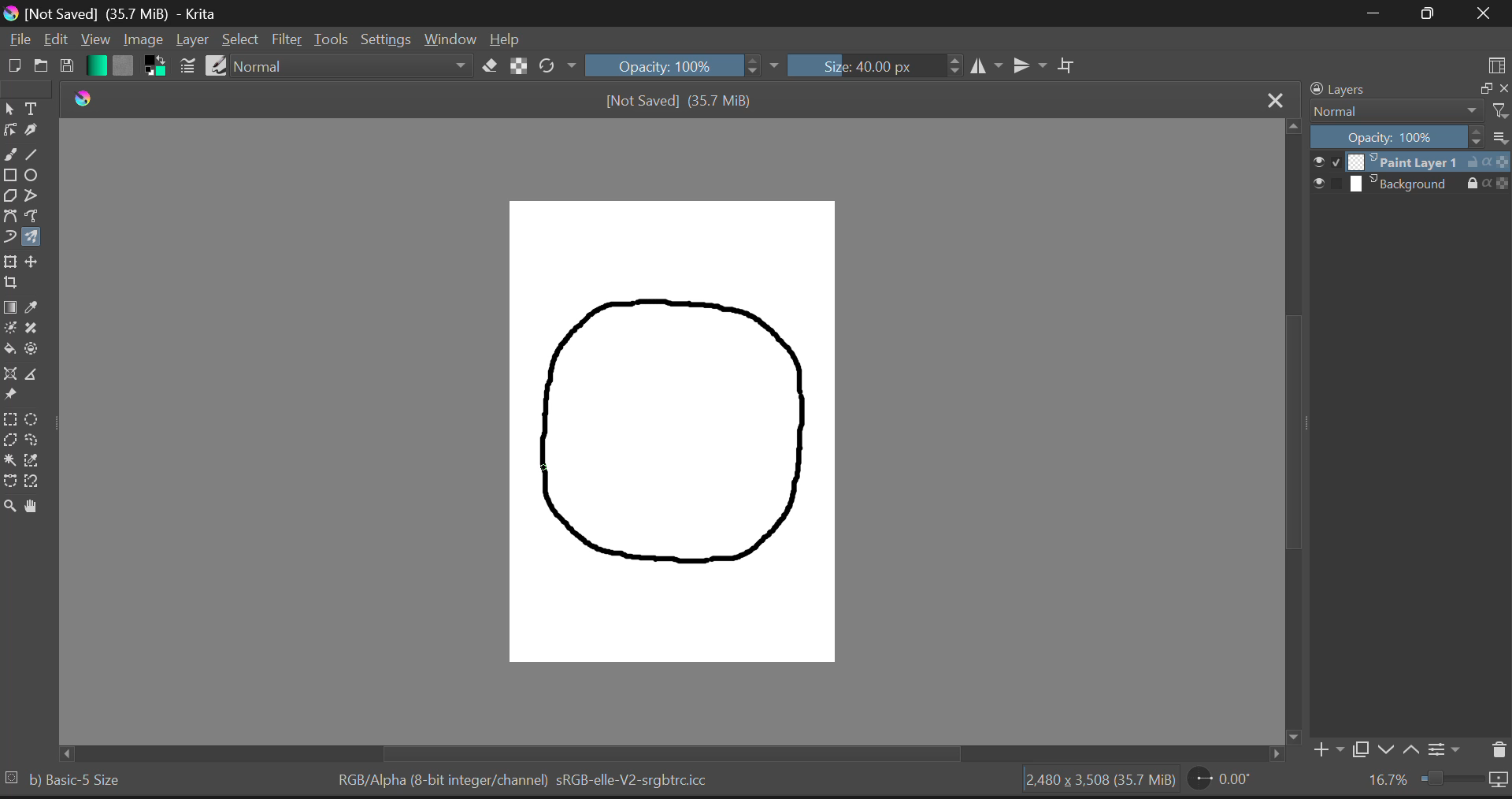 This screenshot has height=799, width=1512. Describe the element at coordinates (36, 328) in the screenshot. I see `Smart Patch Tool` at that location.